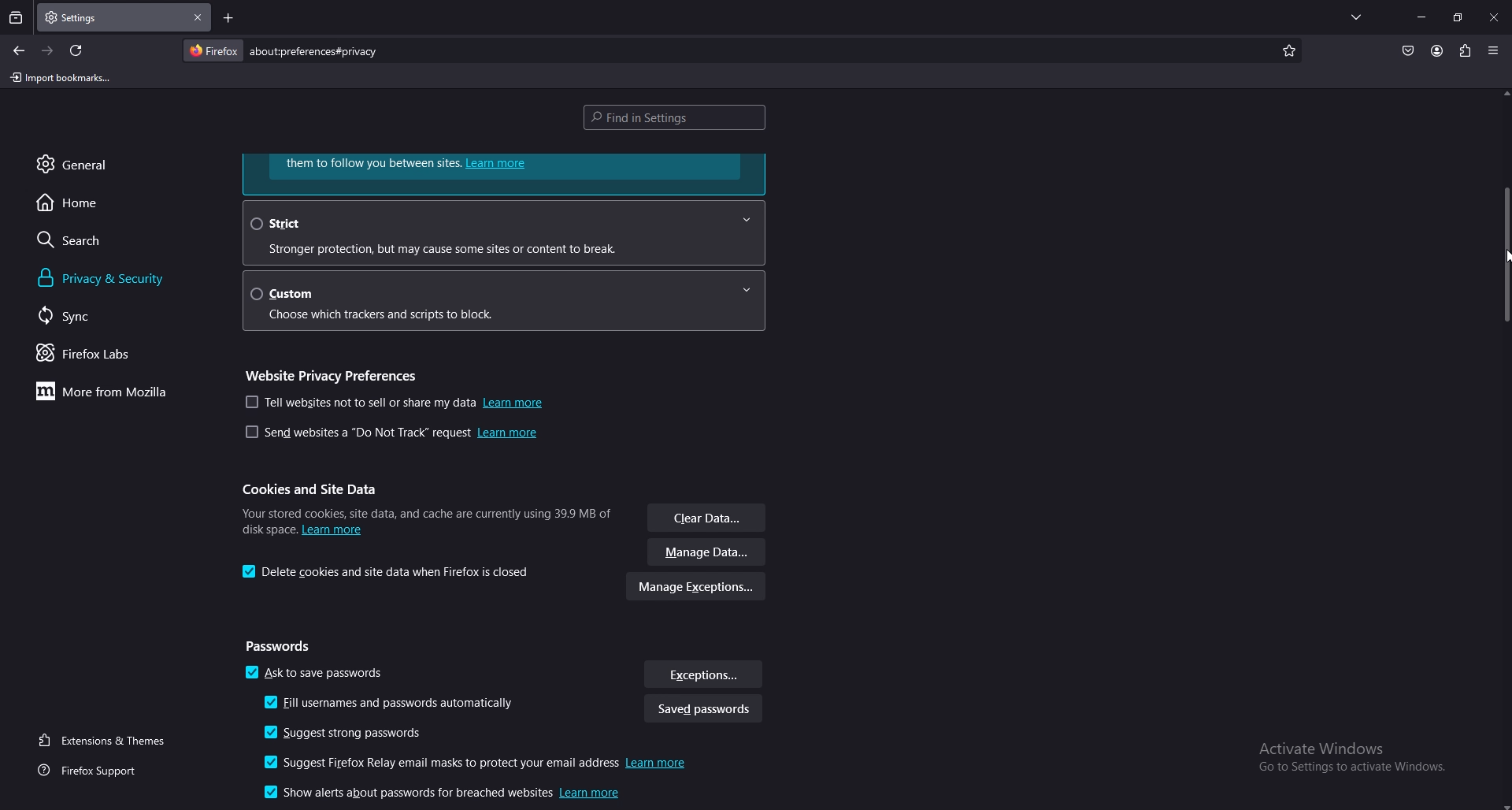 The width and height of the screenshot is (1512, 810). I want to click on saved password, so click(702, 711).